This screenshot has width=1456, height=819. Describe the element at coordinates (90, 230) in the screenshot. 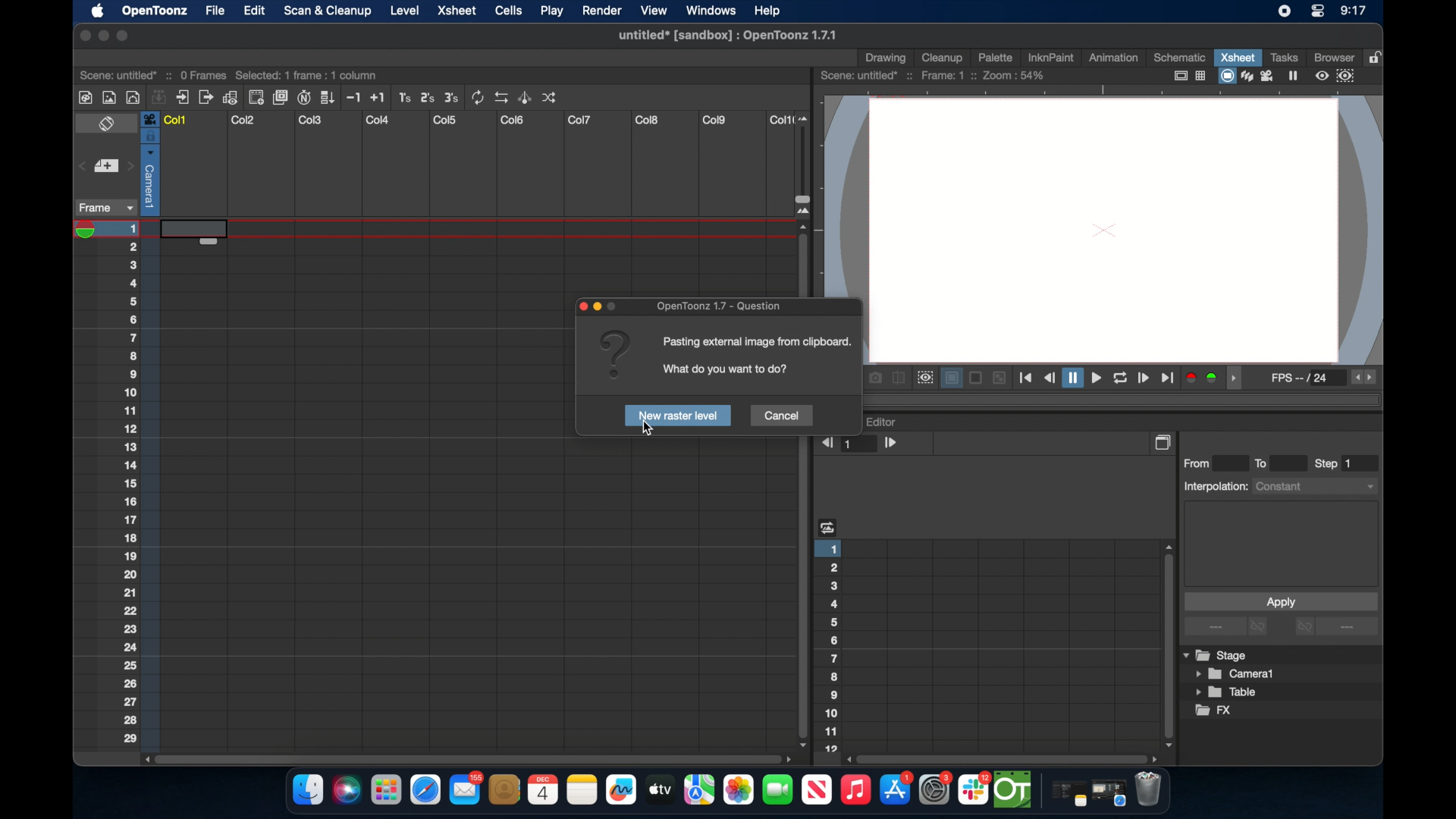

I see `playhead` at that location.